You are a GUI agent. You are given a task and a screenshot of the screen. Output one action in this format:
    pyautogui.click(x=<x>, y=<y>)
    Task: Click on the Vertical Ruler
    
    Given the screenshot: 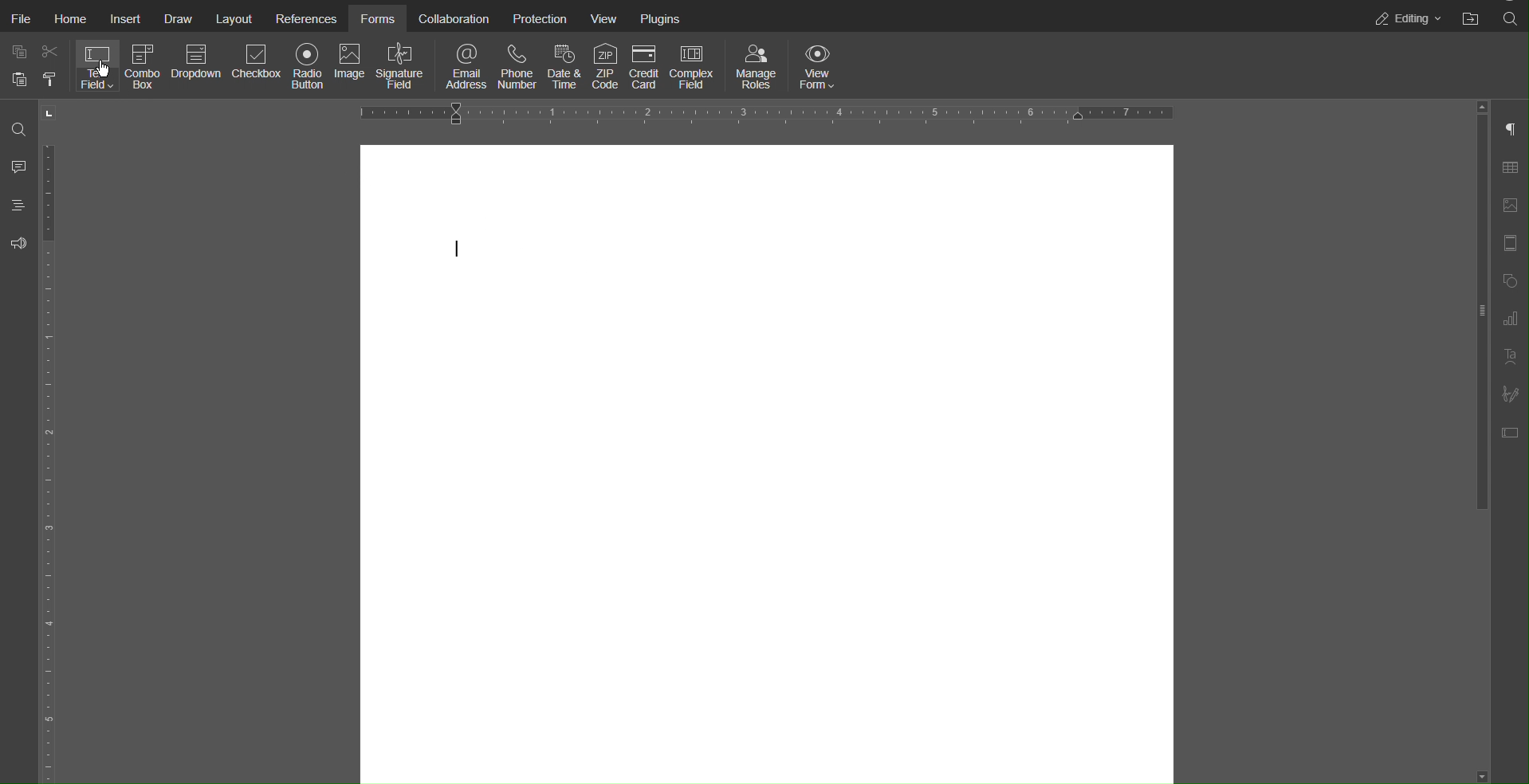 What is the action you would take?
    pyautogui.click(x=50, y=441)
    